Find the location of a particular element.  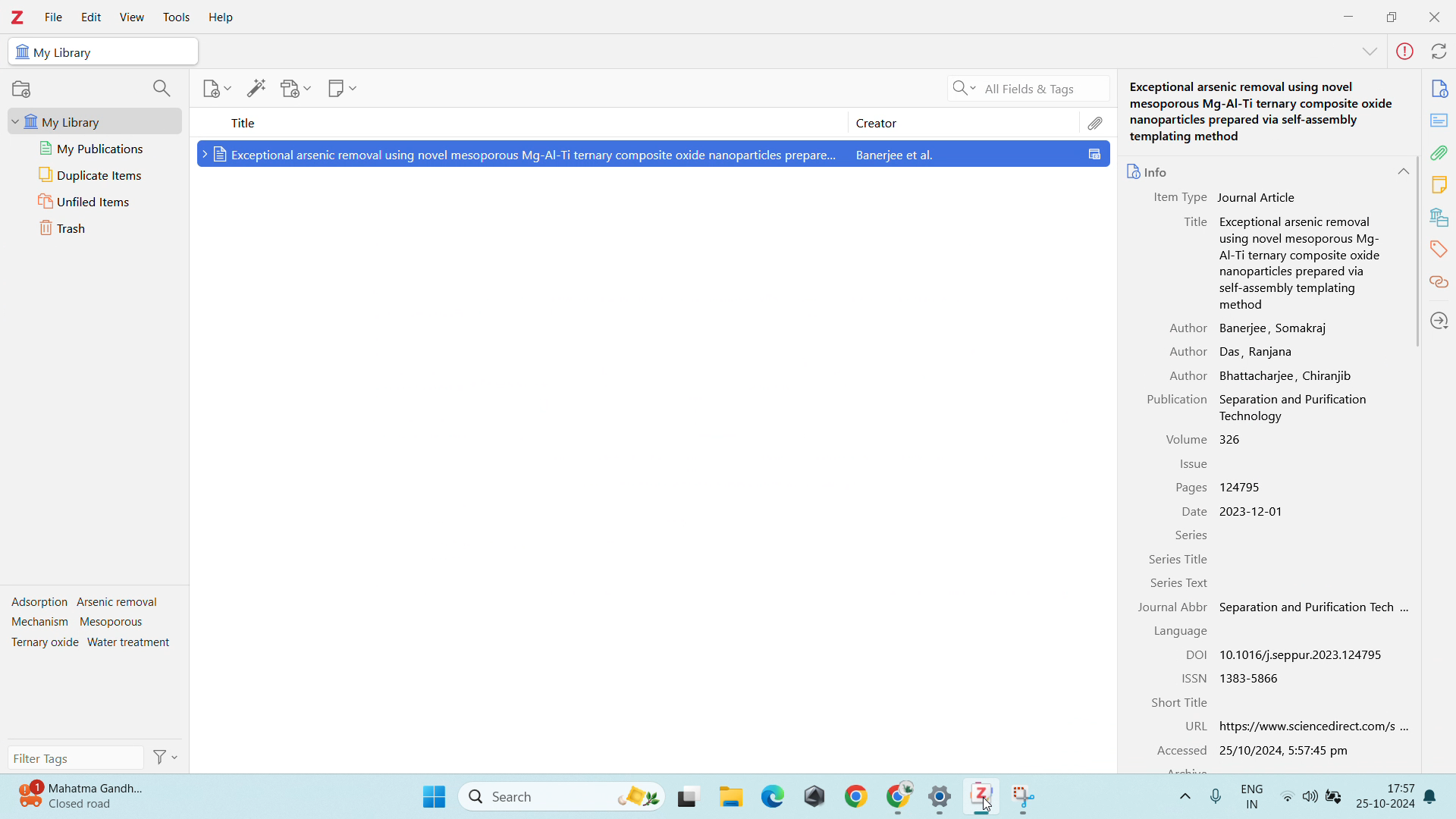

file is located at coordinates (54, 17).